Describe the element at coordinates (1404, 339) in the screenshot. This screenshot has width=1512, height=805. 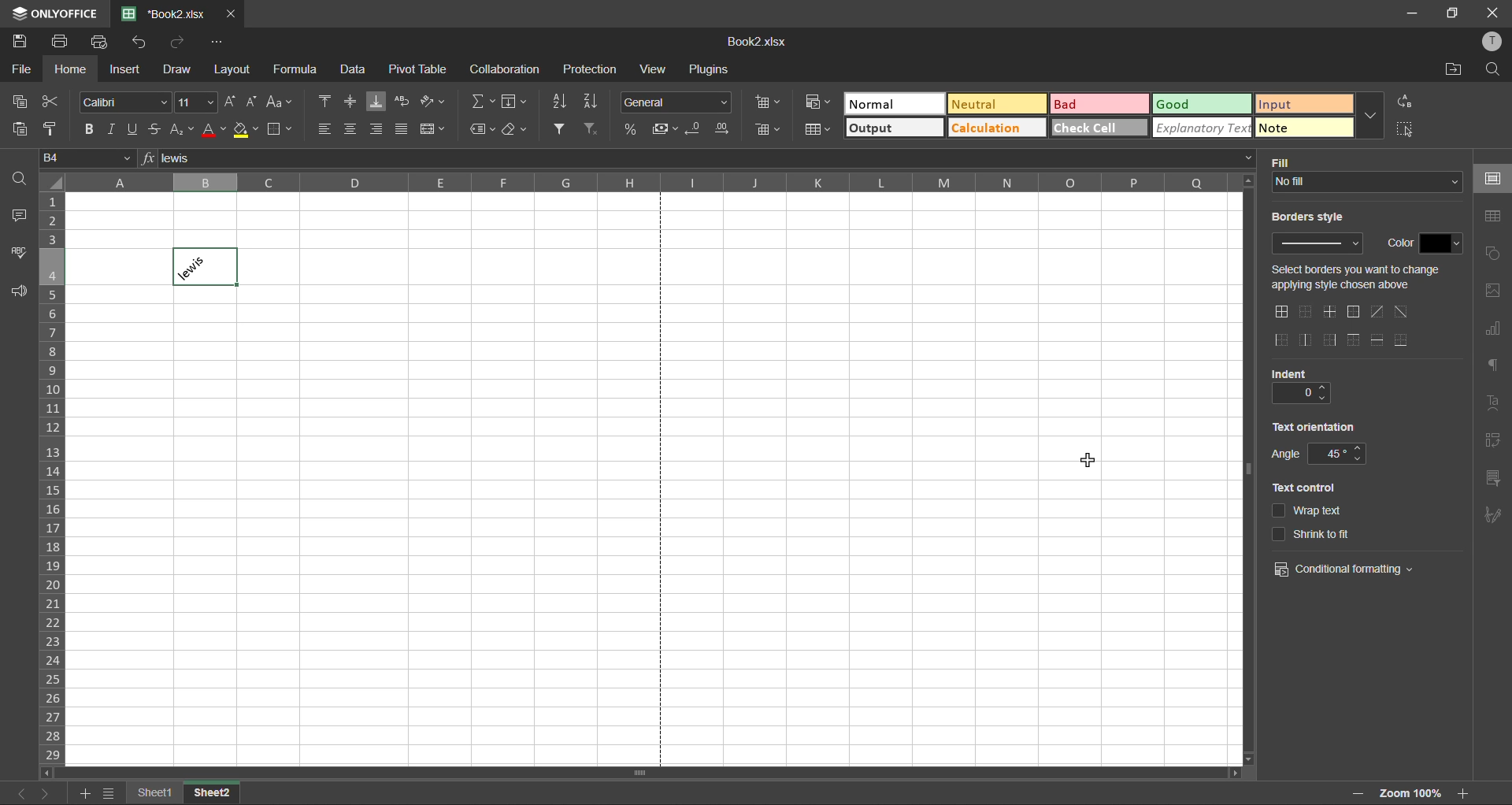
I see `outer bottom border only` at that location.